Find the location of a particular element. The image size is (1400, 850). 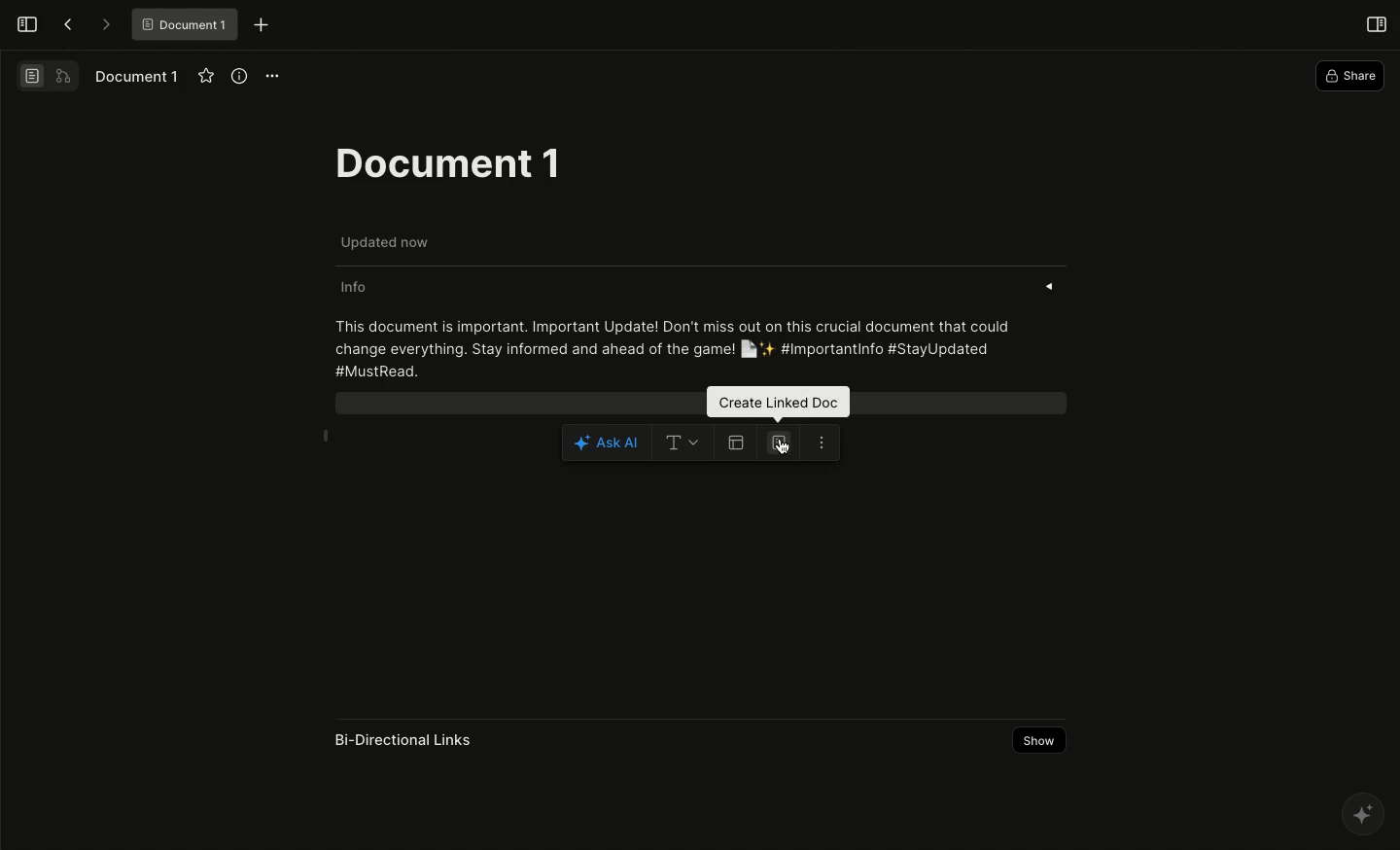

Open right panel is located at coordinates (1374, 24).